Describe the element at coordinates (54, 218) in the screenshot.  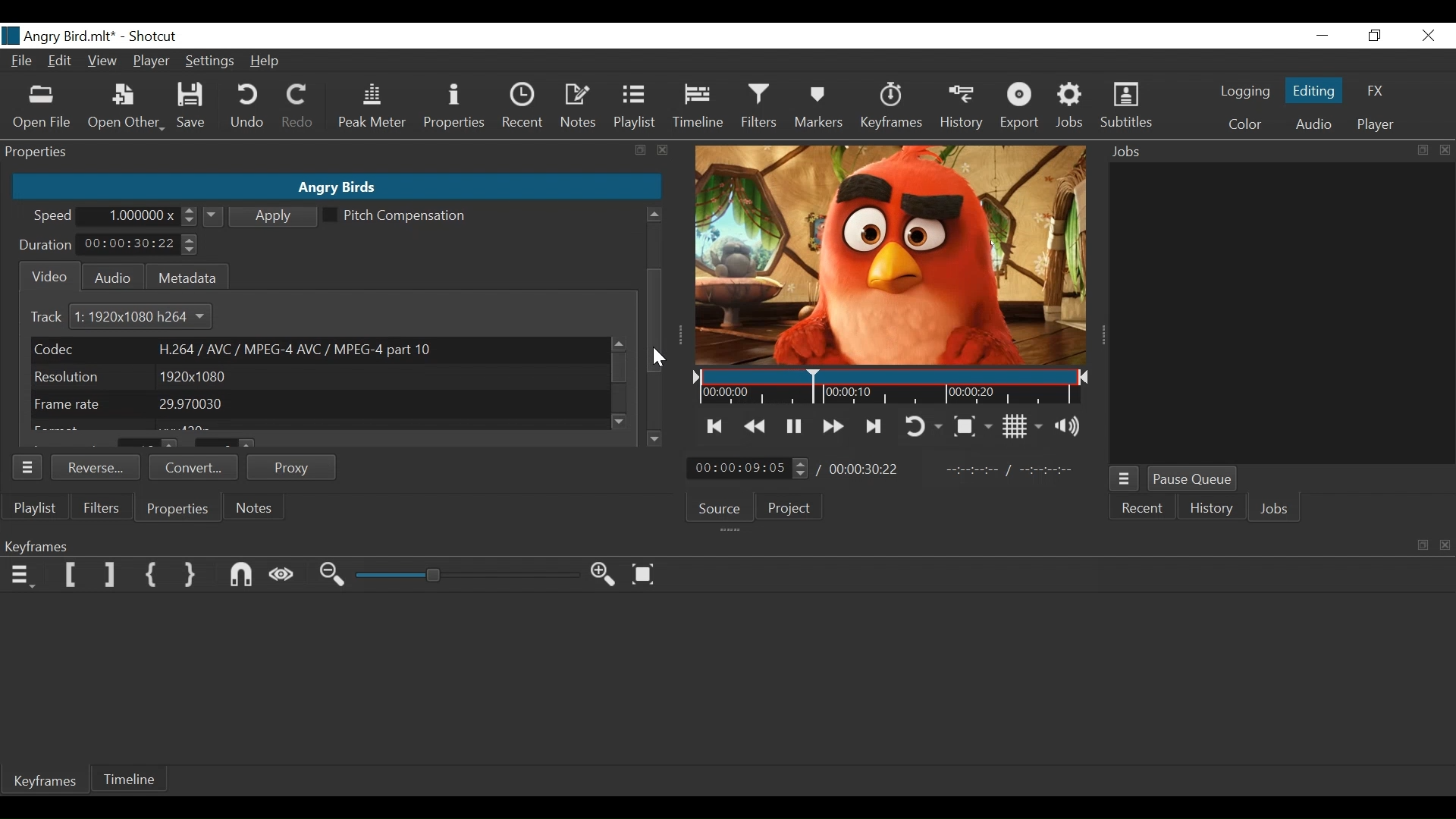
I see `Speed` at that location.